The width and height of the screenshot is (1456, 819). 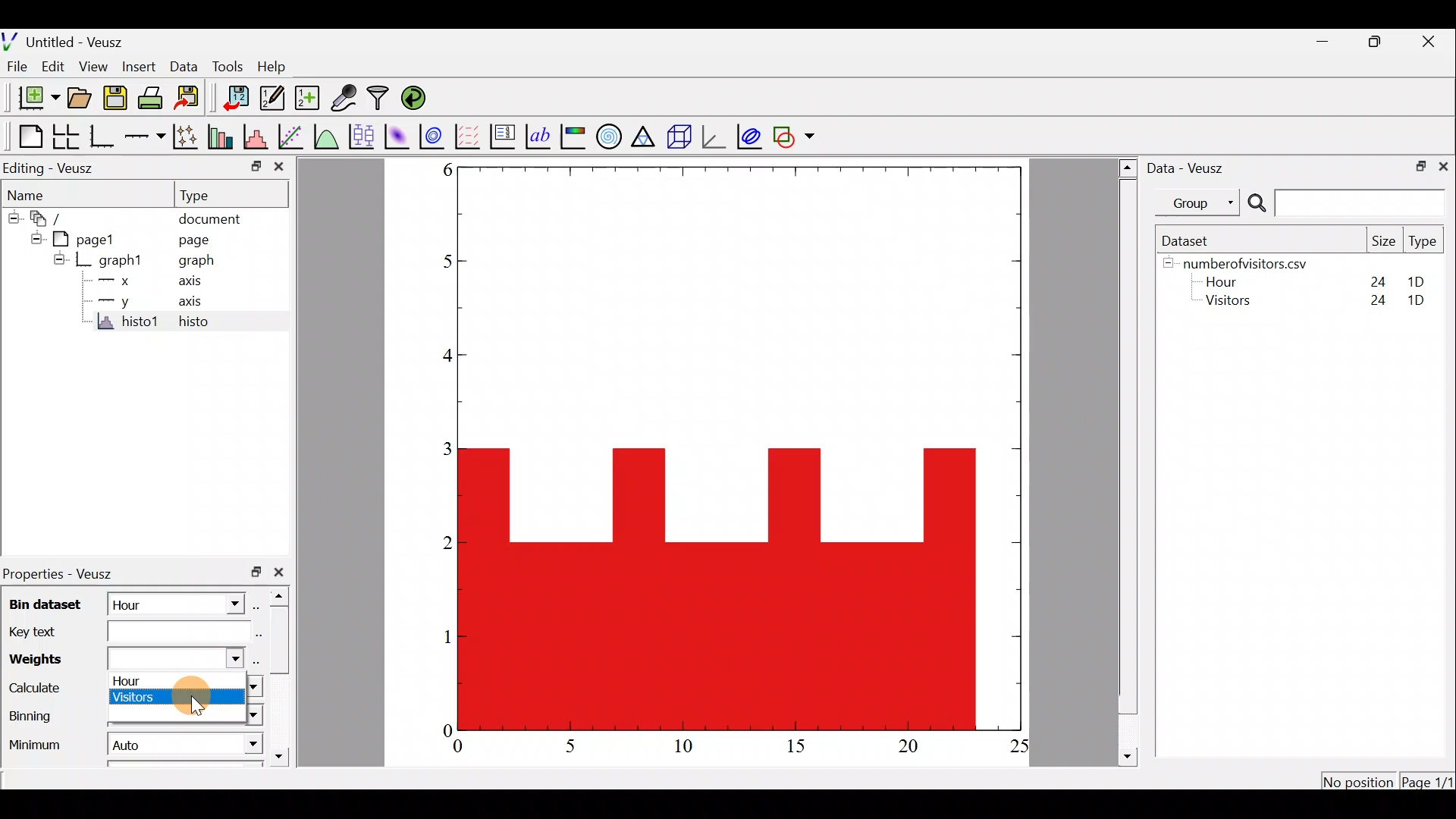 What do you see at coordinates (220, 135) in the screenshot?
I see `plot bar charts` at bounding box center [220, 135].